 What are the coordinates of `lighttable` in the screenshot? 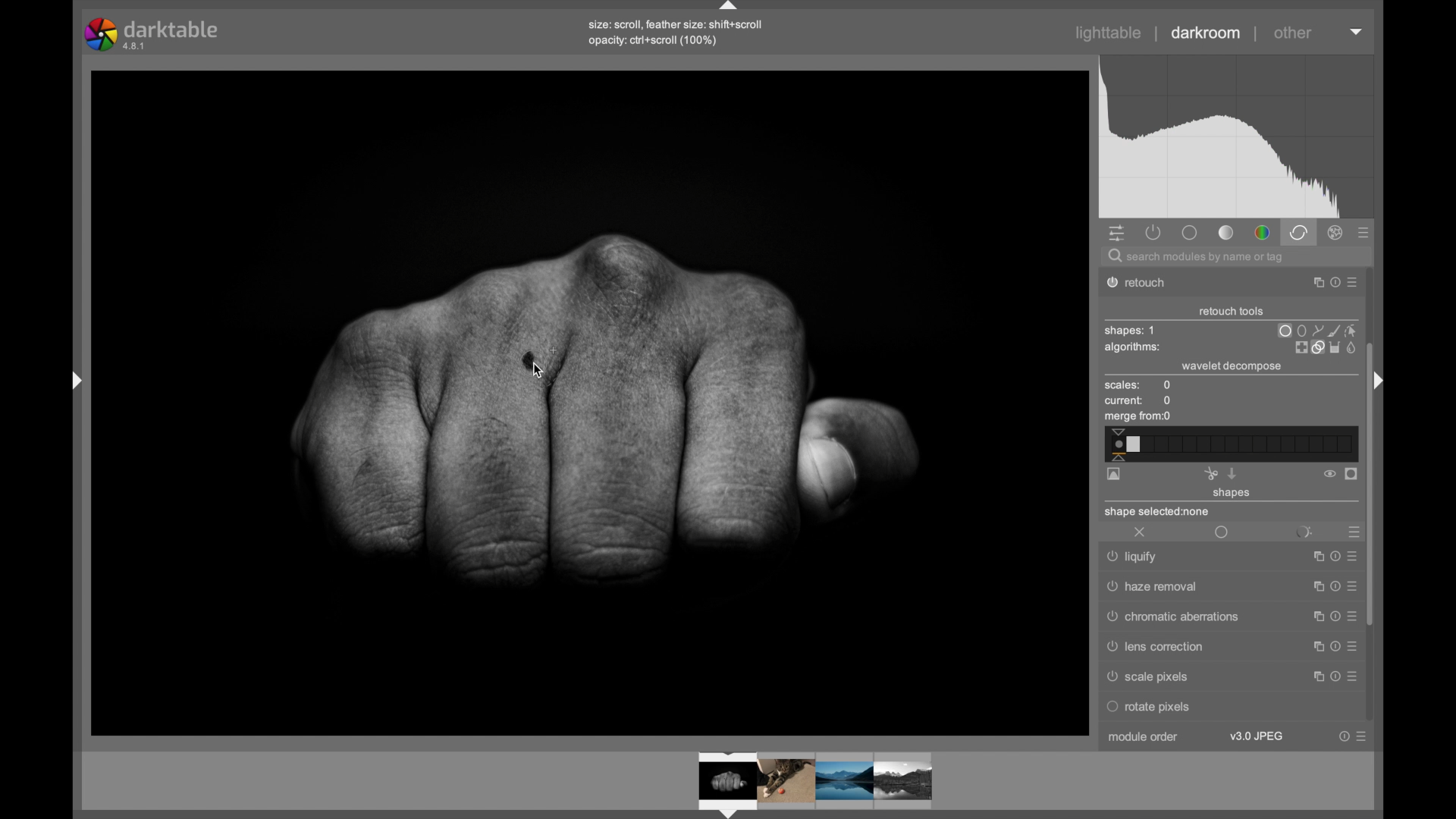 It's located at (1109, 33).